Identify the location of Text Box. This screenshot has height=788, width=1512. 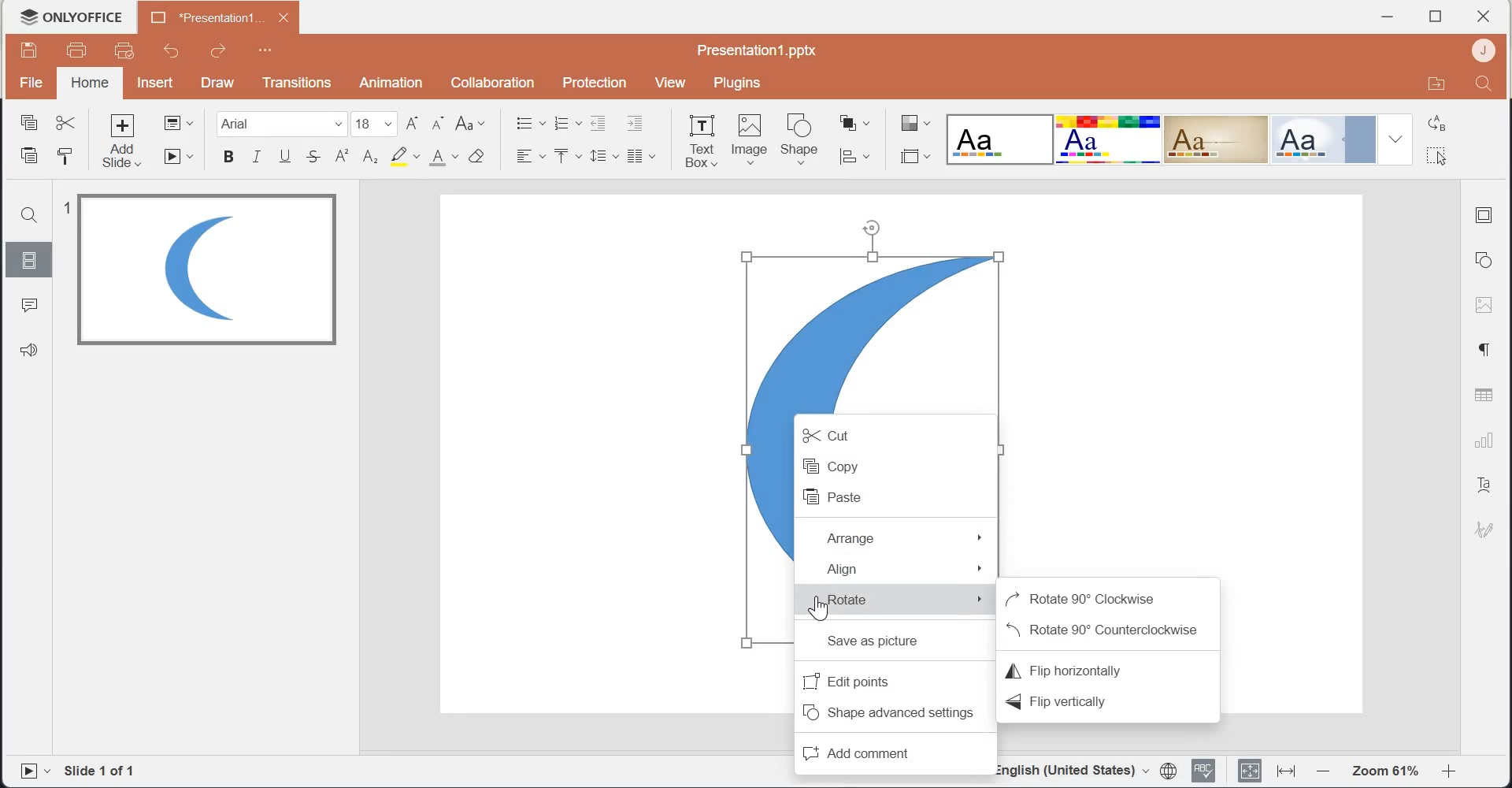
(700, 139).